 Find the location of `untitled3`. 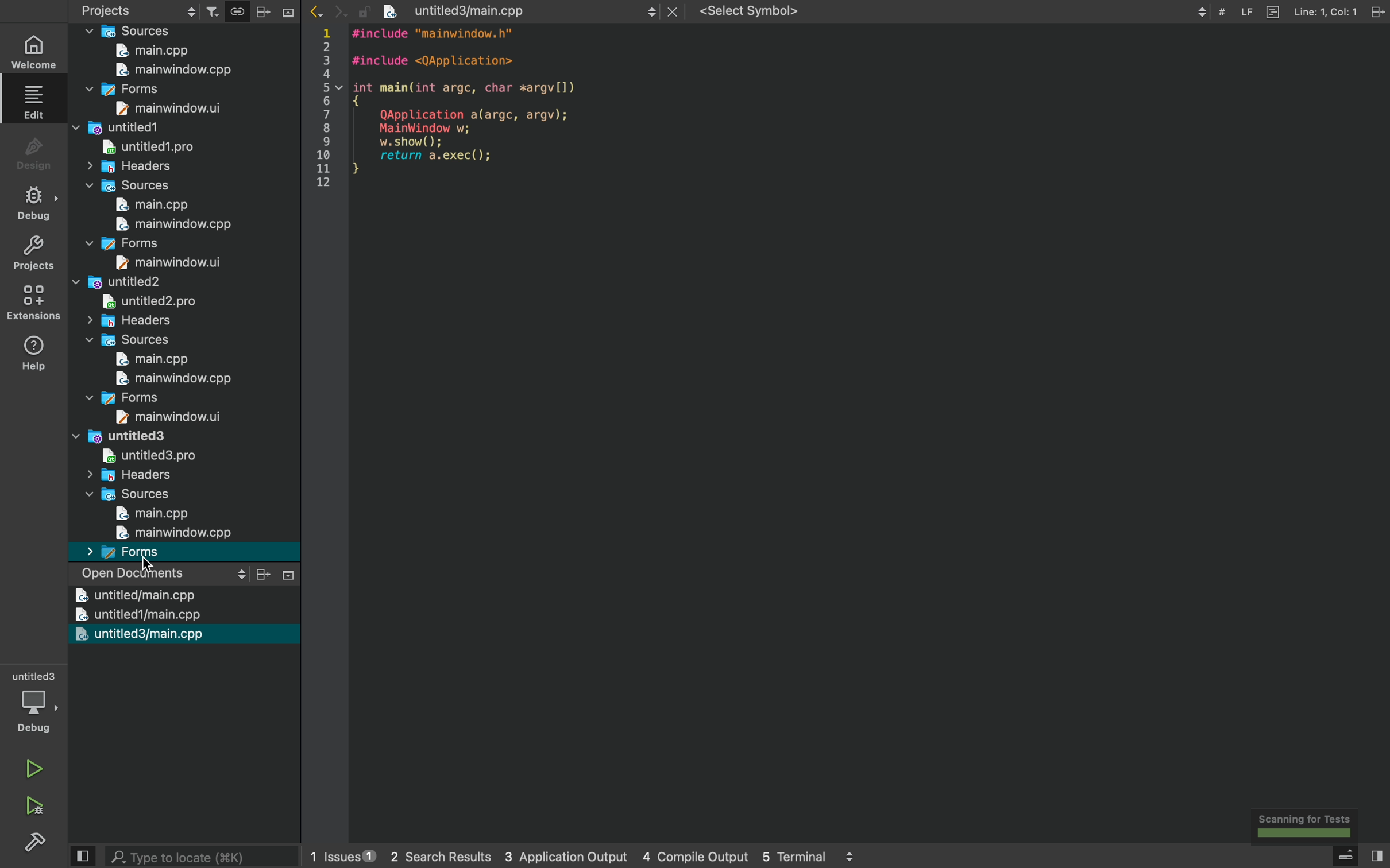

untitled3 is located at coordinates (136, 634).